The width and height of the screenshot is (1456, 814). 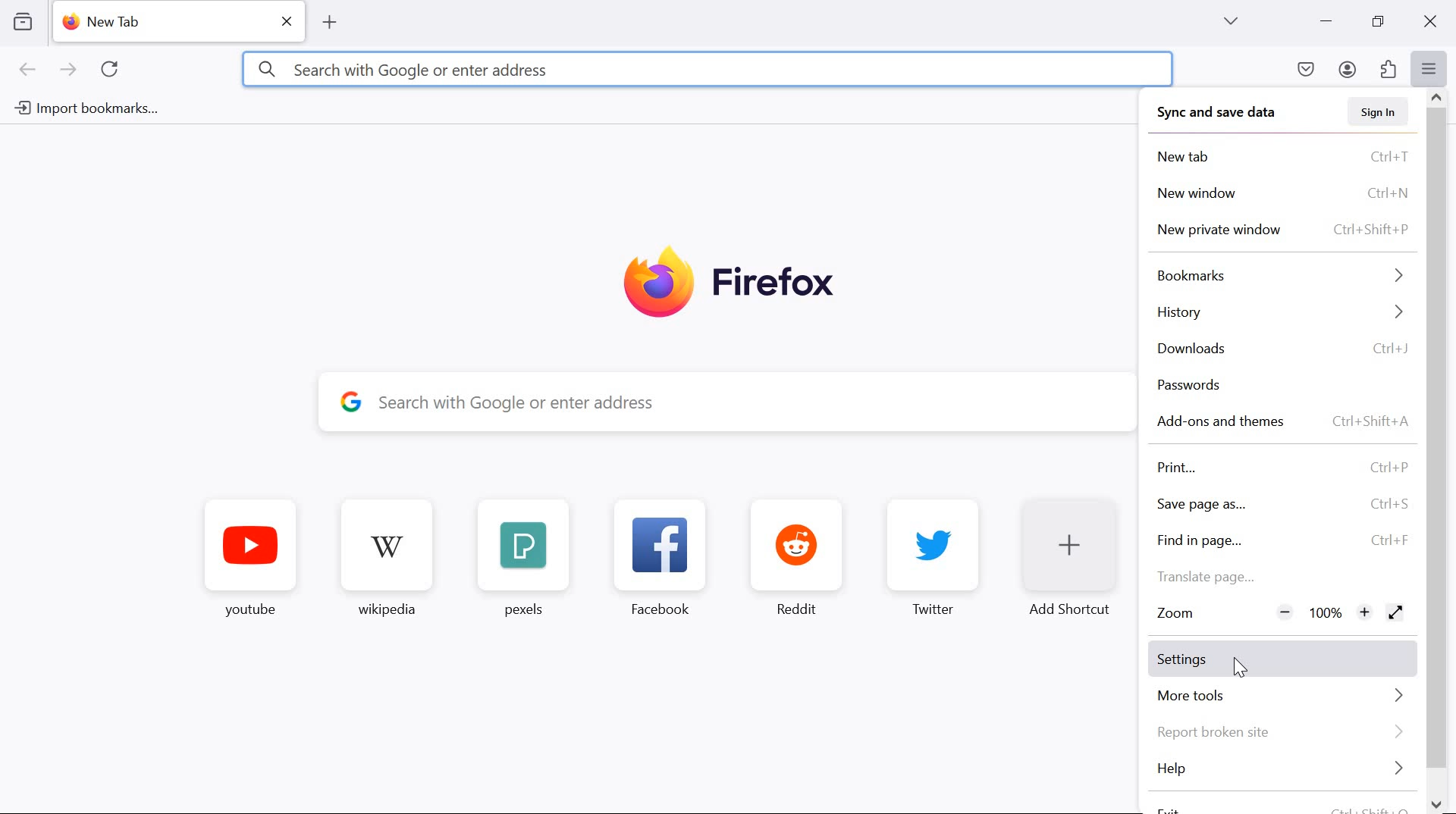 What do you see at coordinates (329, 23) in the screenshot?
I see `add tab` at bounding box center [329, 23].